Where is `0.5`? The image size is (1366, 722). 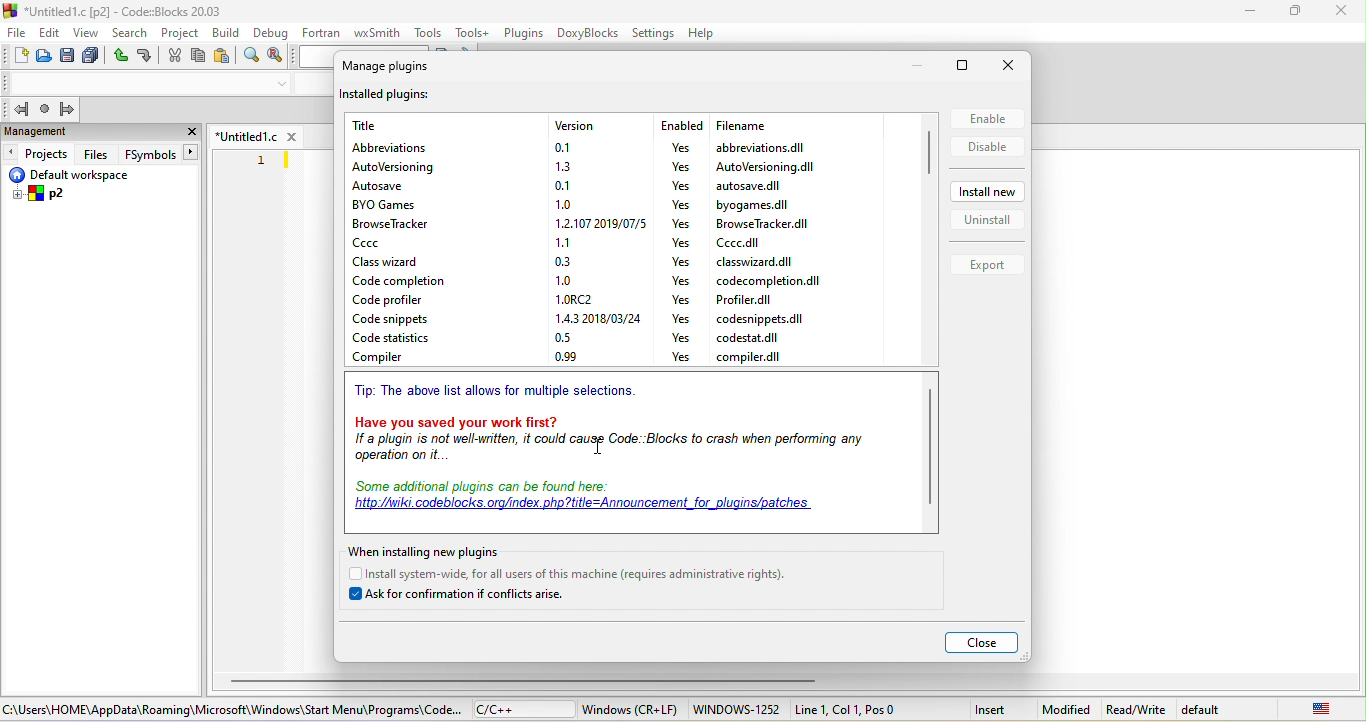
0.5 is located at coordinates (574, 339).